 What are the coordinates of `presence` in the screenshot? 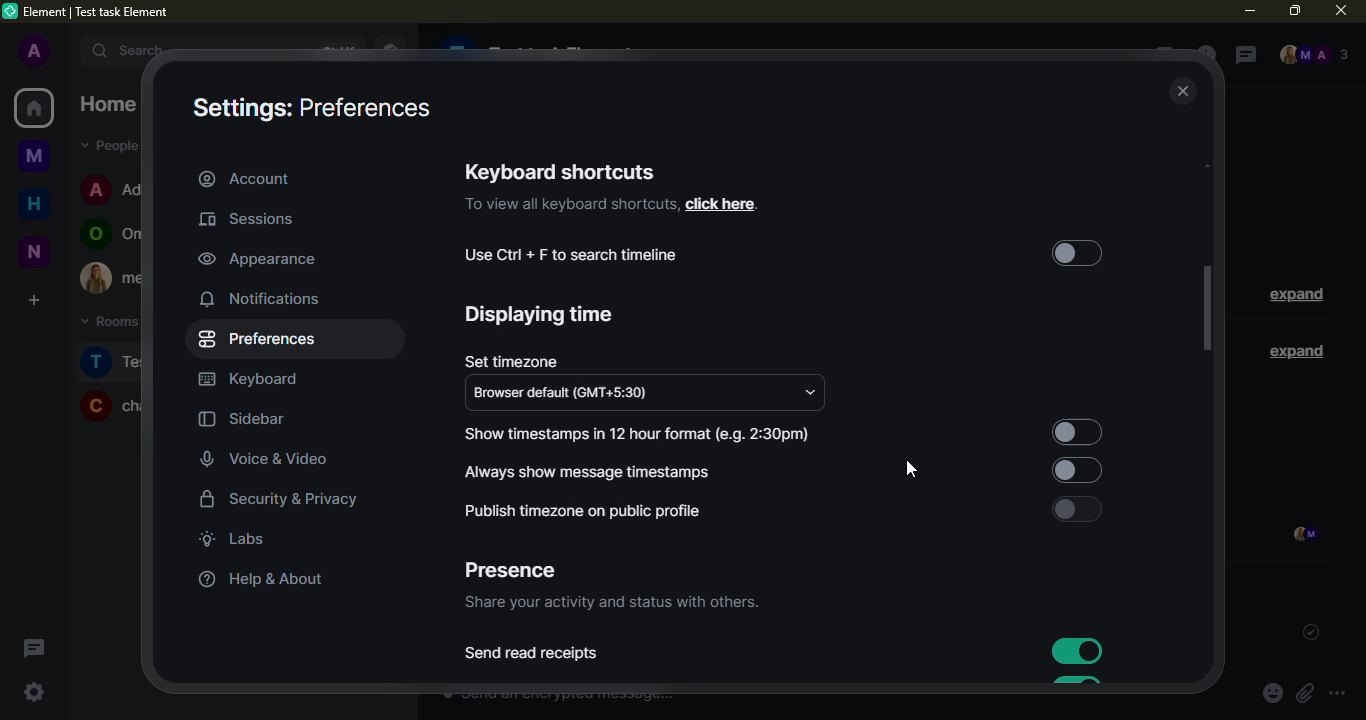 It's located at (509, 571).